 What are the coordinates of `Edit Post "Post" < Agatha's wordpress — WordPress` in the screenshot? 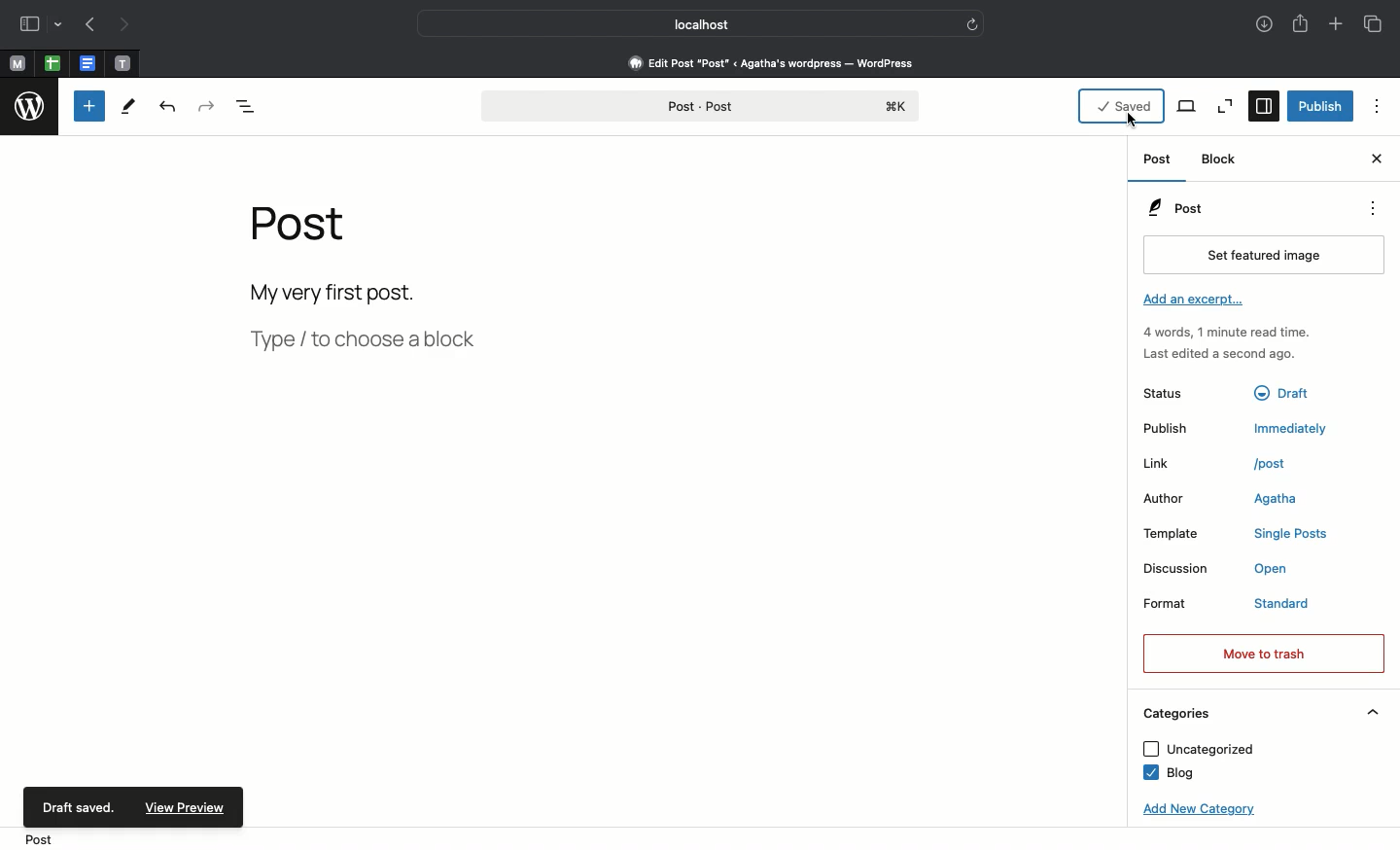 It's located at (771, 62).